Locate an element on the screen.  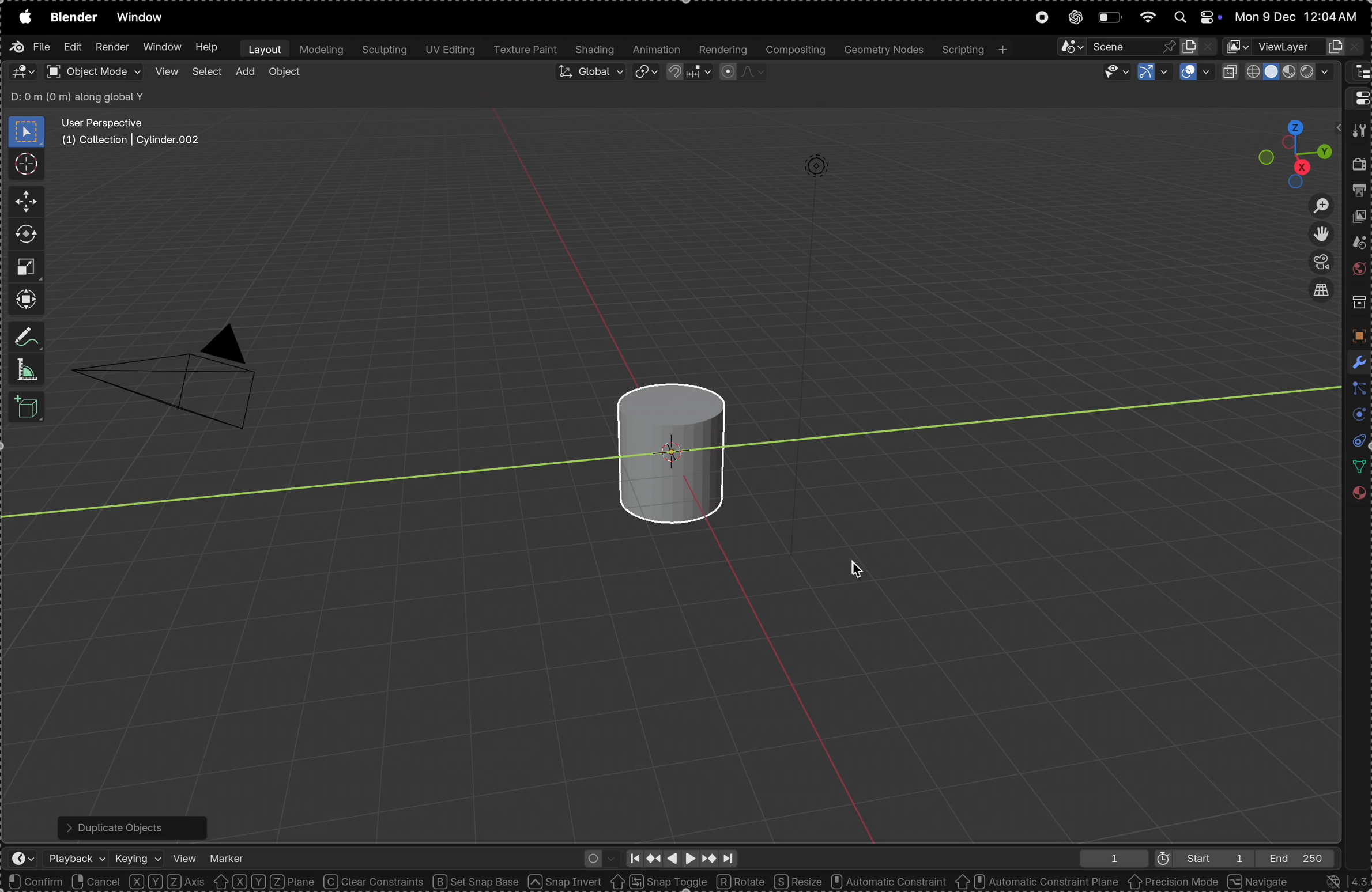
Plane is located at coordinates (294, 882).